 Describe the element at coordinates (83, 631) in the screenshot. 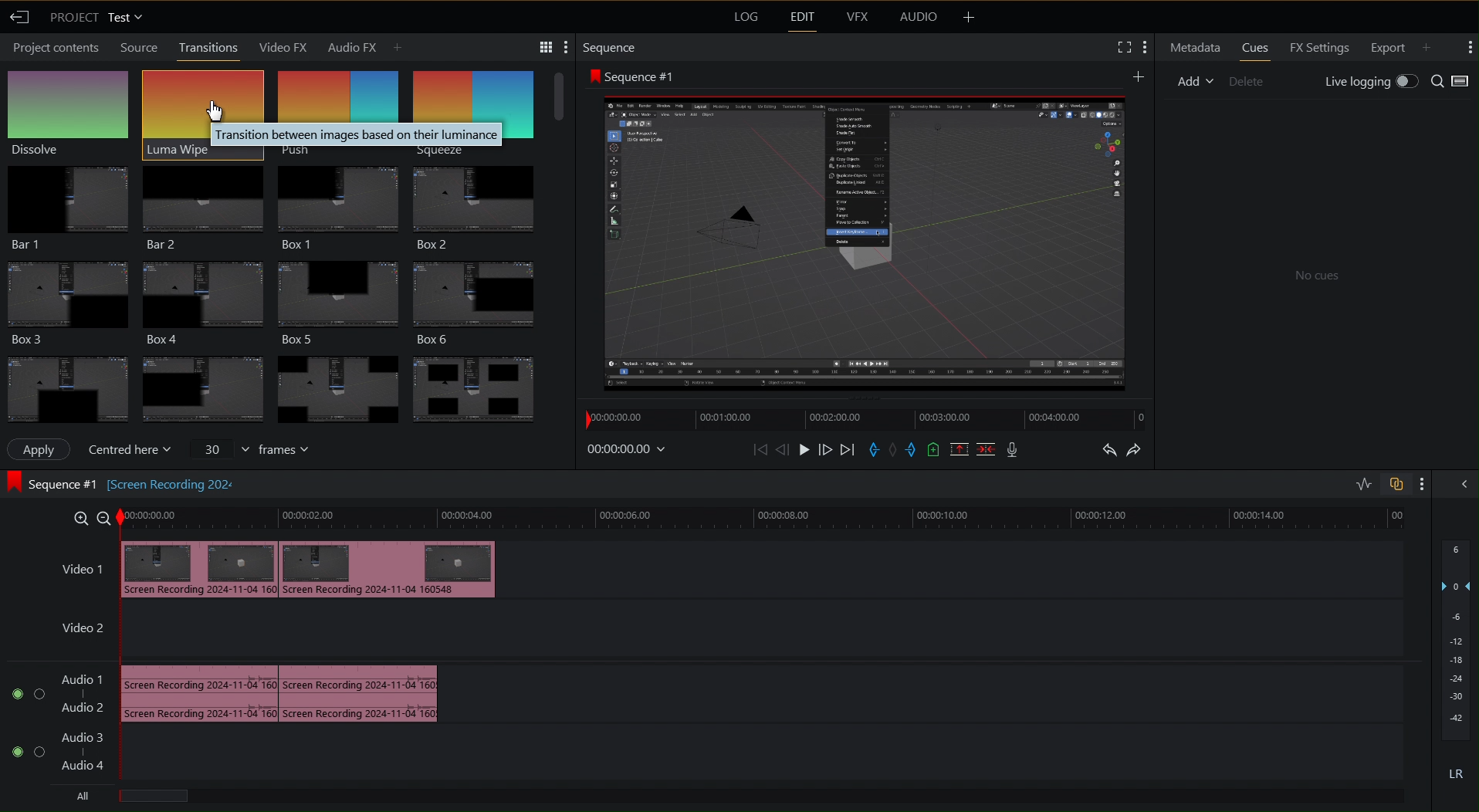

I see `Video 2` at that location.